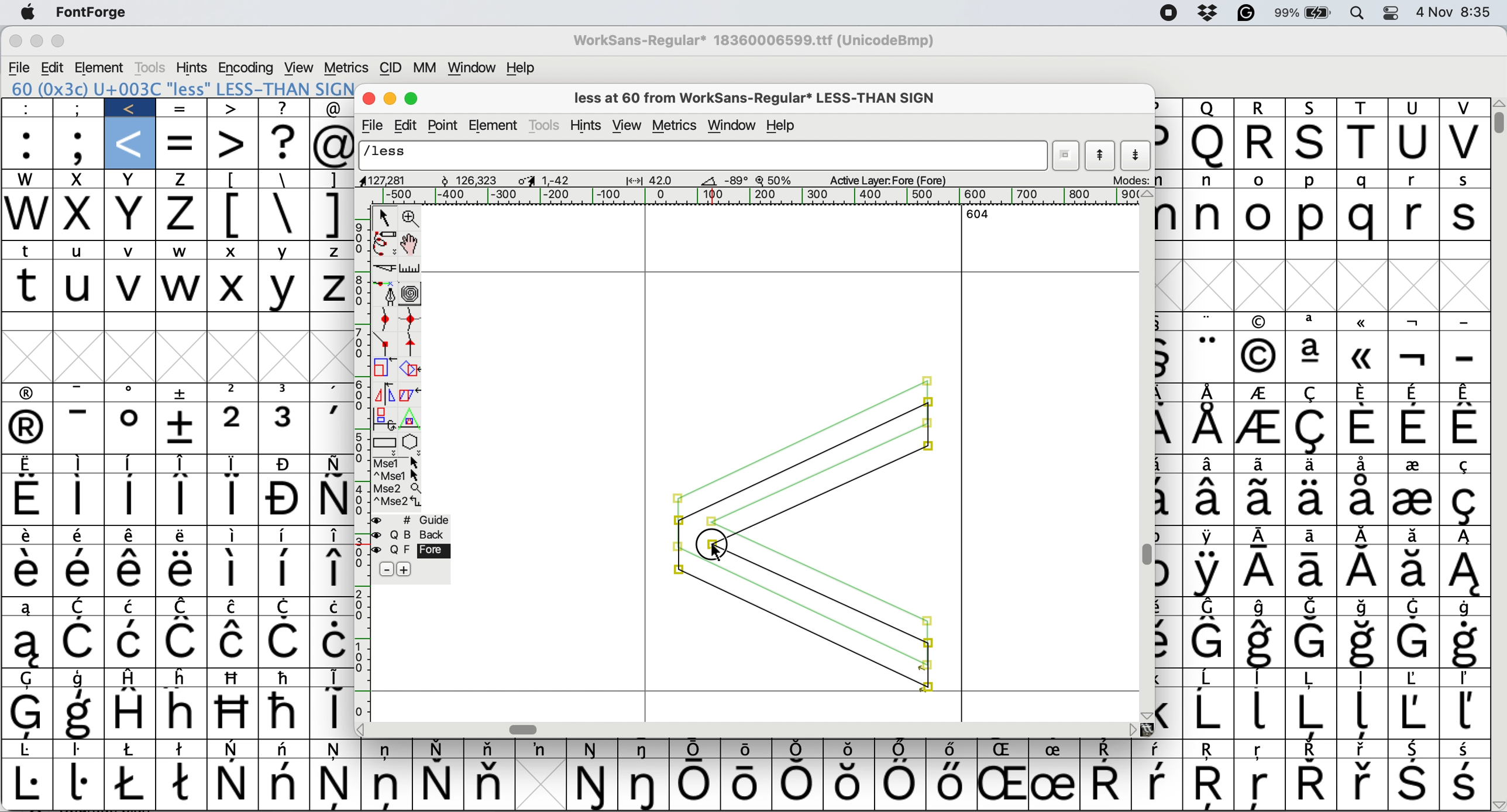 The height and width of the screenshot is (812, 1507). I want to click on Symbol, so click(952, 748).